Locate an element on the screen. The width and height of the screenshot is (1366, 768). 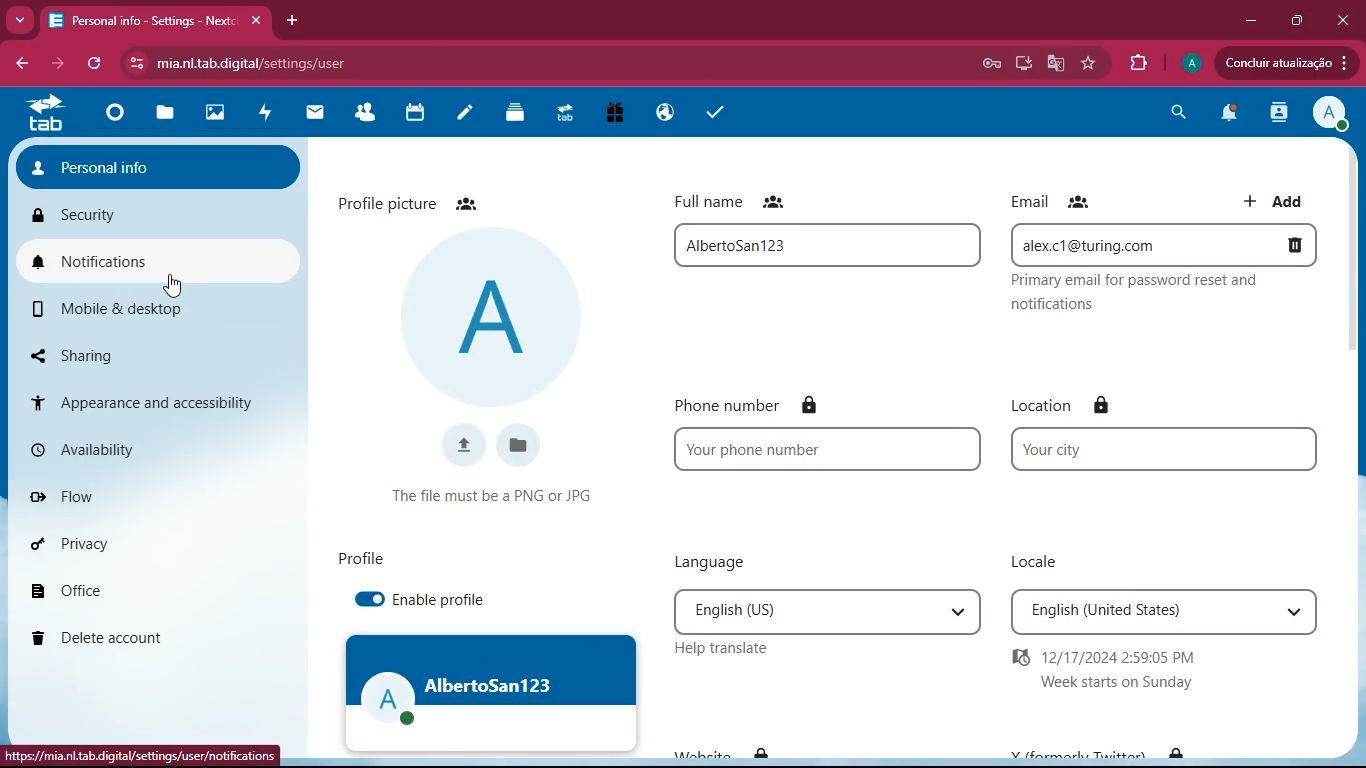
refresh is located at coordinates (98, 62).